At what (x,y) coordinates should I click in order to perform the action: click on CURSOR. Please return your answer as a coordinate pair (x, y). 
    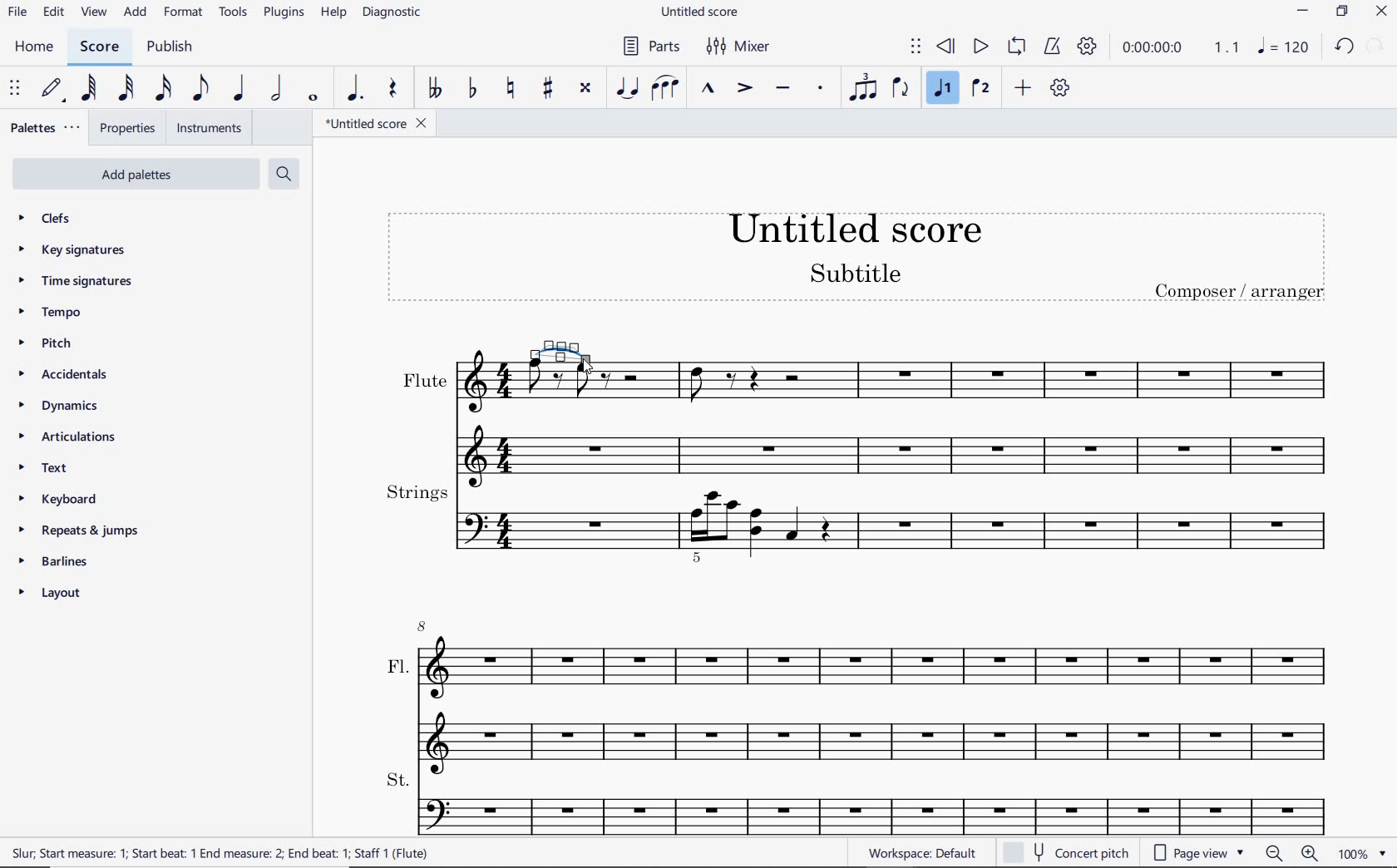
    Looking at the image, I should click on (585, 367).